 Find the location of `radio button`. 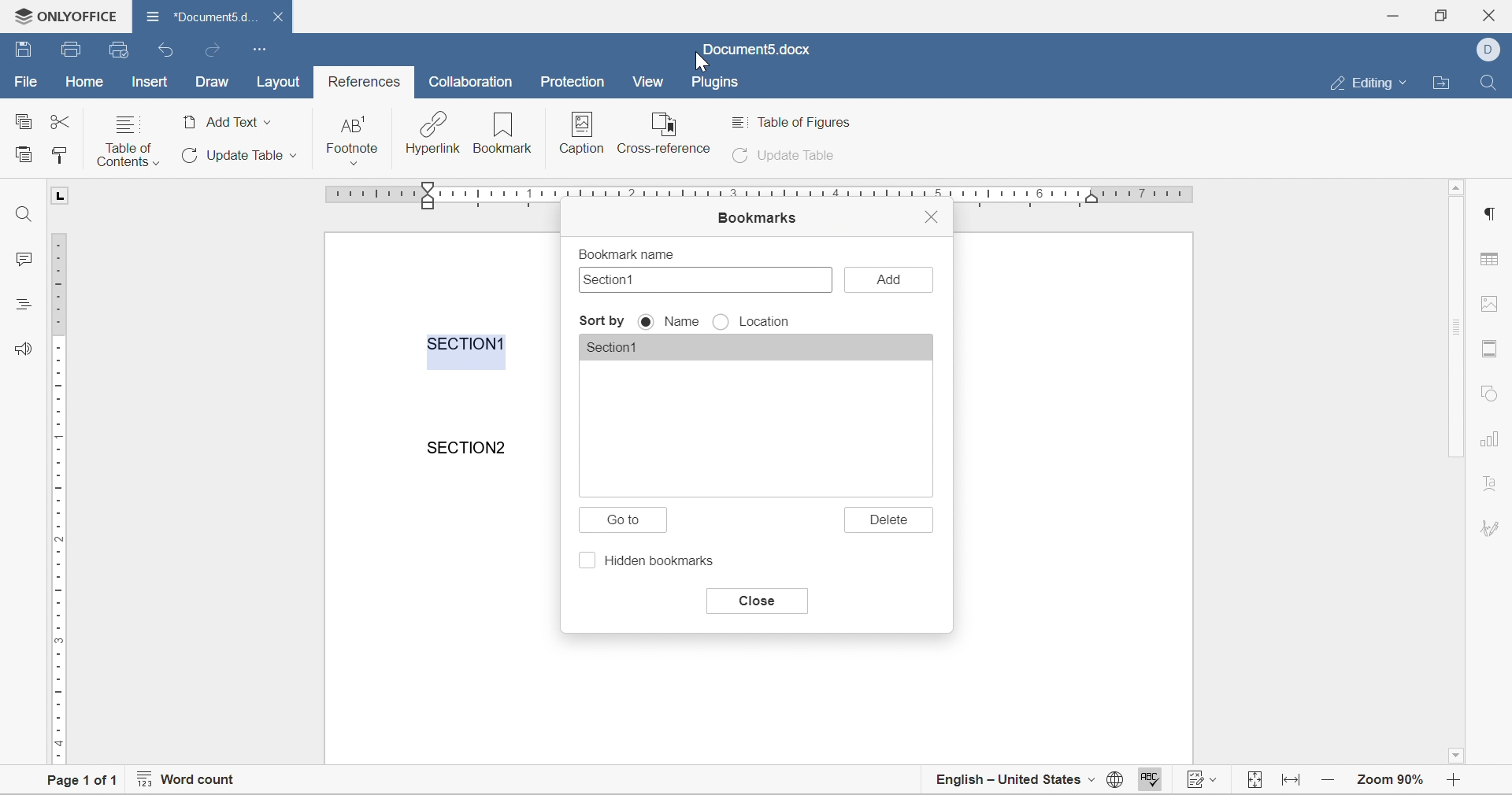

radio button is located at coordinates (722, 323).